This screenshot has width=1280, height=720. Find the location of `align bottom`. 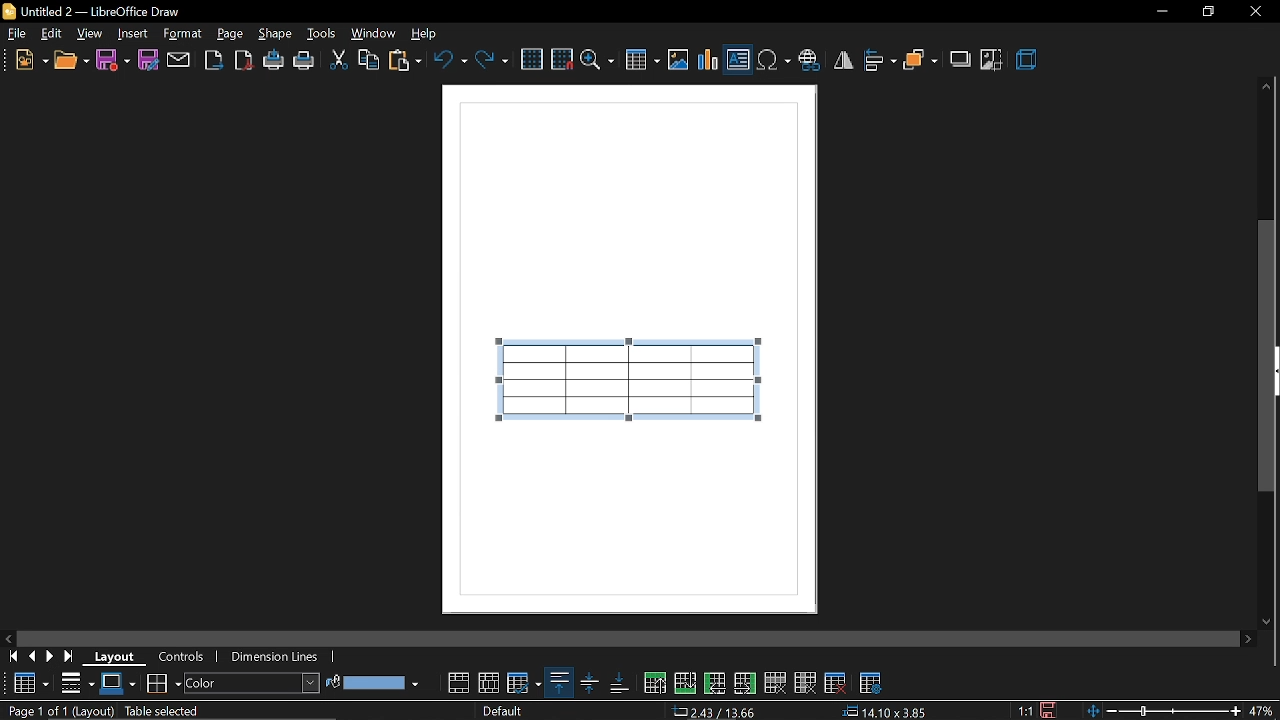

align bottom is located at coordinates (620, 682).